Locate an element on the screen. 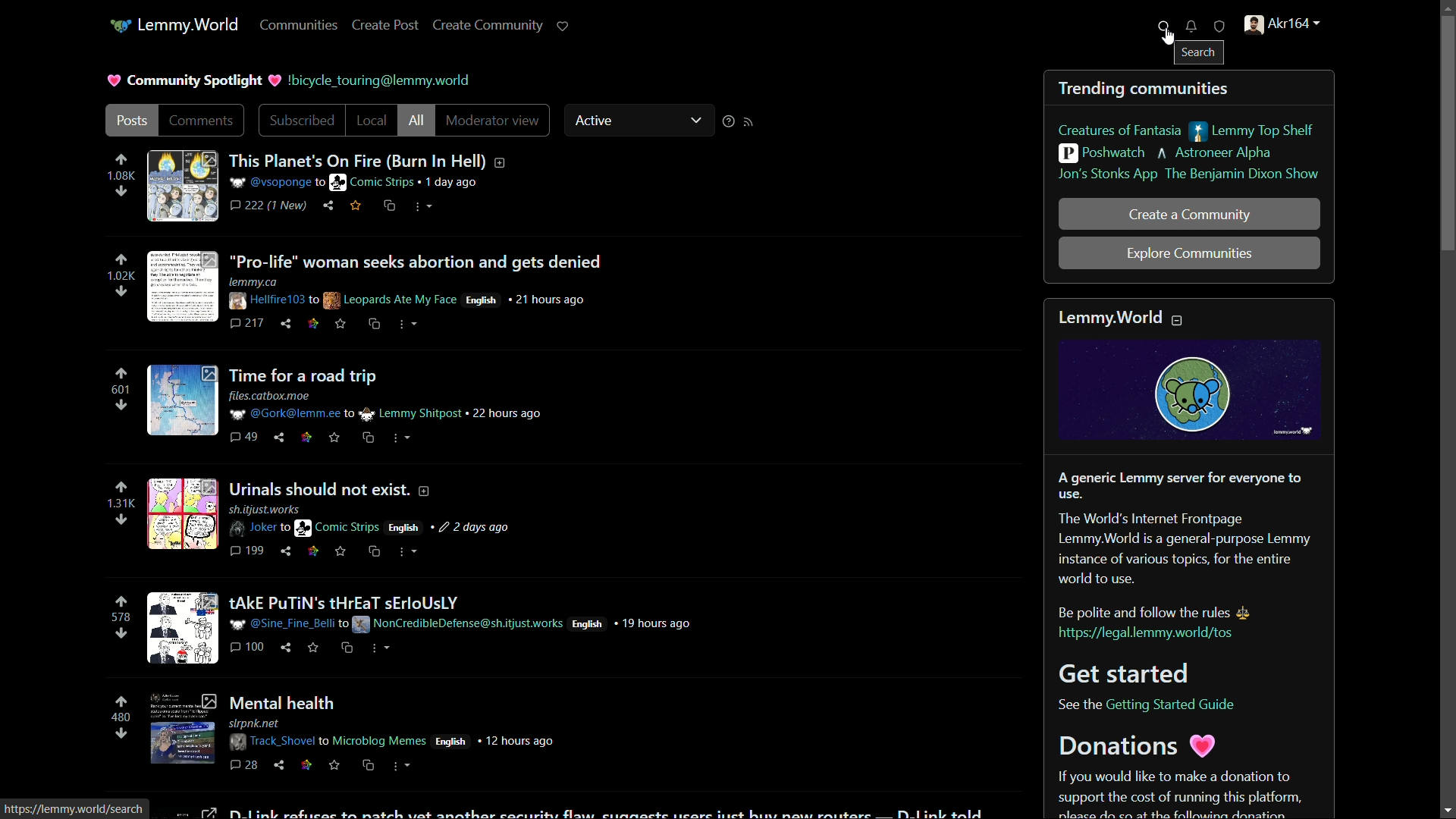 The height and width of the screenshot is (819, 1456). unread reports is located at coordinates (1218, 27).